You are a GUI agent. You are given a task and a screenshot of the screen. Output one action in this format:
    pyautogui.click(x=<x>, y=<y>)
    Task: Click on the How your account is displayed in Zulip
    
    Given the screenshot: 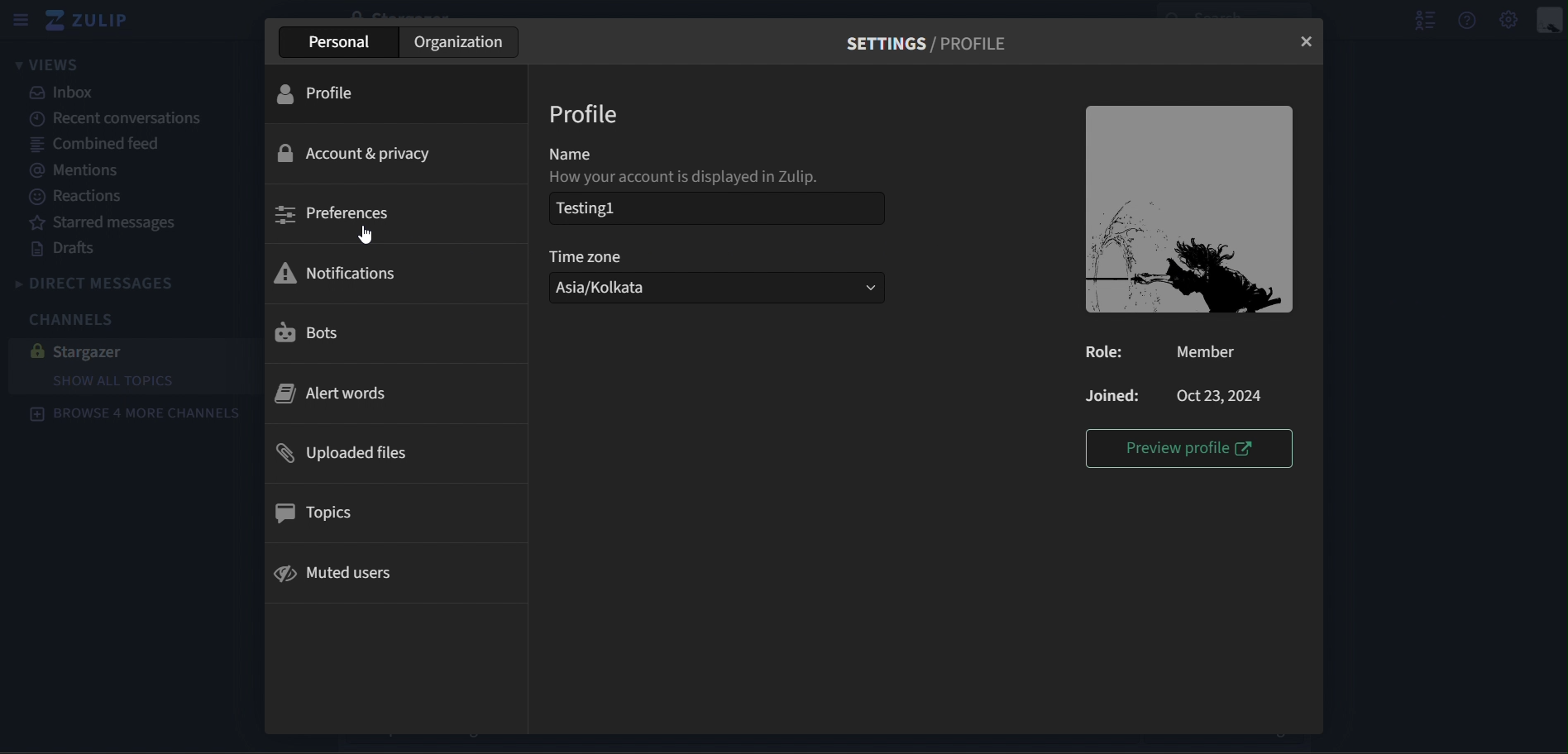 What is the action you would take?
    pyautogui.click(x=695, y=179)
    